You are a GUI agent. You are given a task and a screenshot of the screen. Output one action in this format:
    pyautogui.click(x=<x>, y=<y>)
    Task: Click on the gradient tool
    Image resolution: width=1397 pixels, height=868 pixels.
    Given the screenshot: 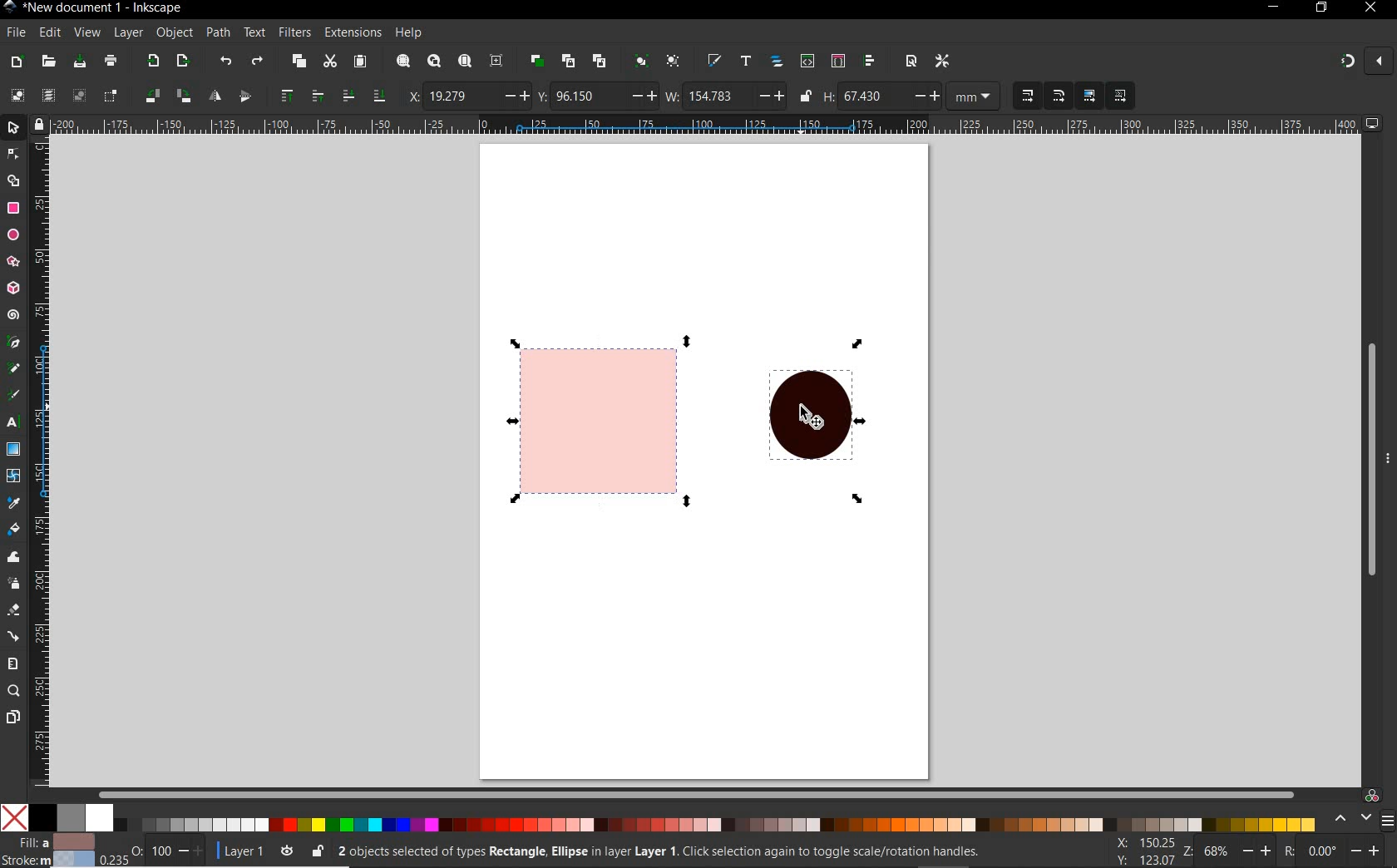 What is the action you would take?
    pyautogui.click(x=14, y=448)
    